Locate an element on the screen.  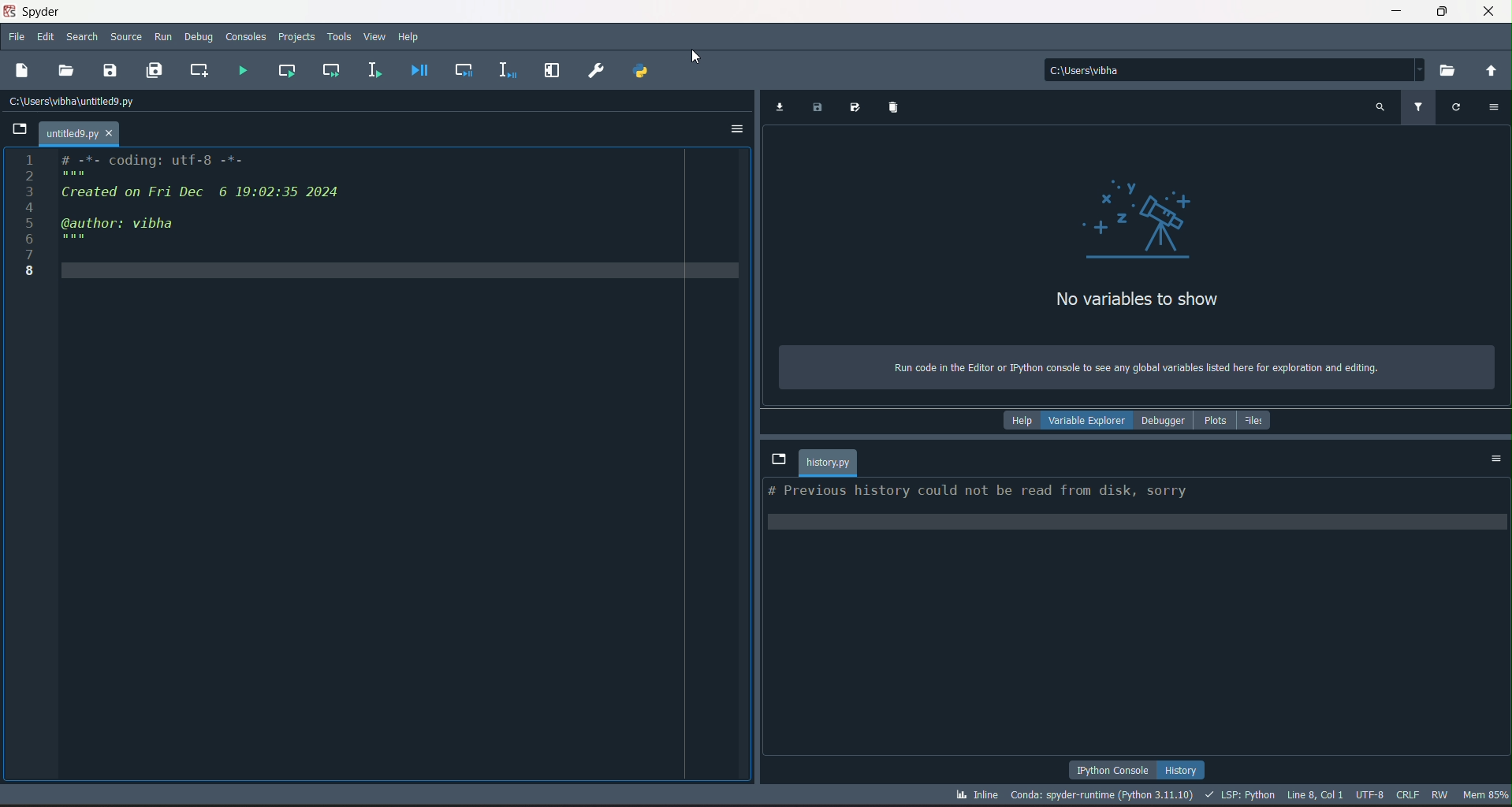
options is located at coordinates (1497, 459).